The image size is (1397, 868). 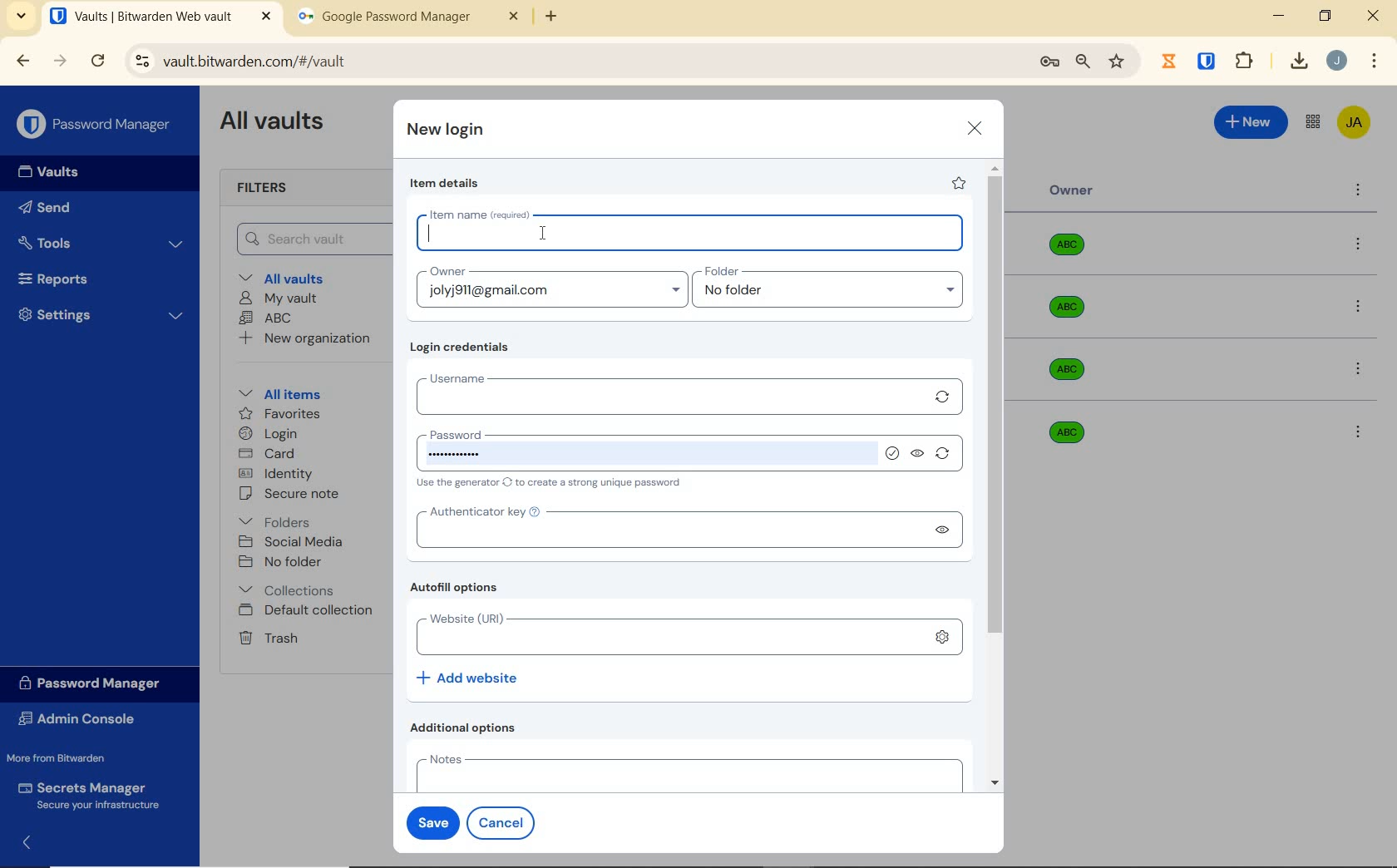 What do you see at coordinates (666, 635) in the screenshot?
I see `Website (URL)` at bounding box center [666, 635].